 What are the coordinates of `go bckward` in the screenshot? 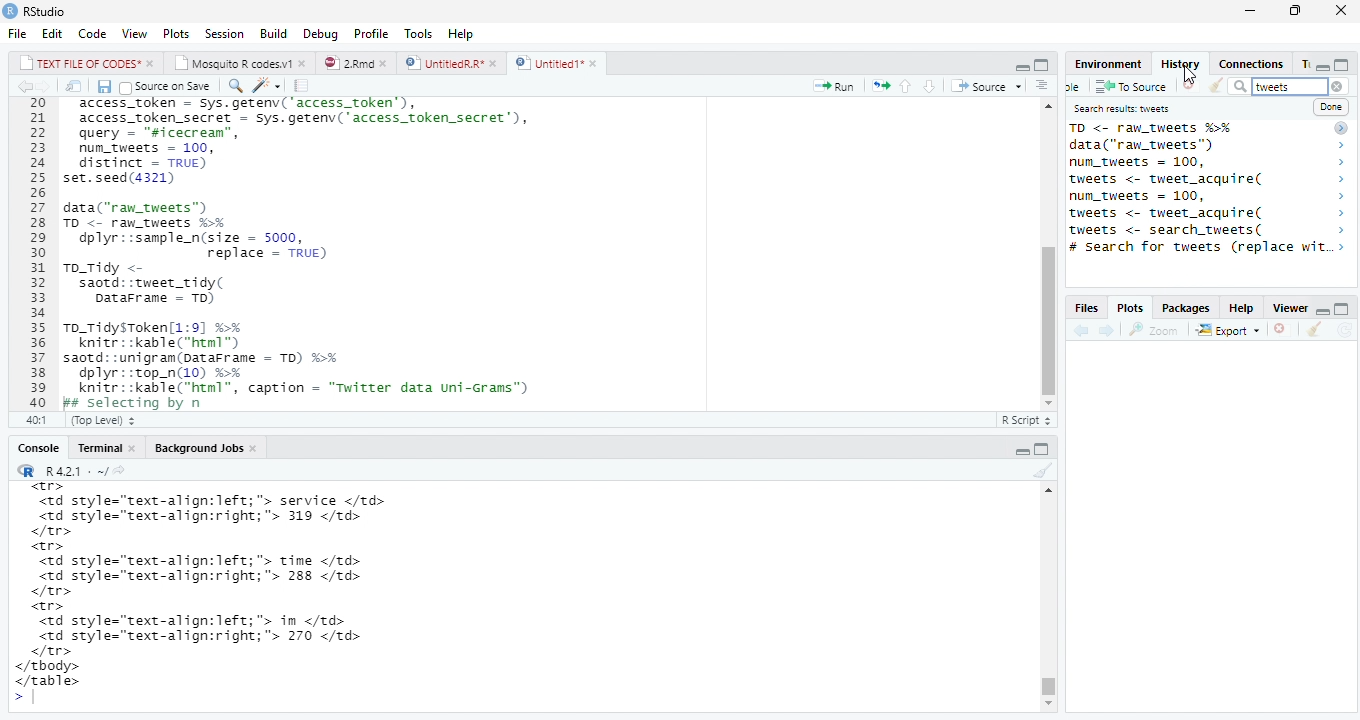 It's located at (32, 85).